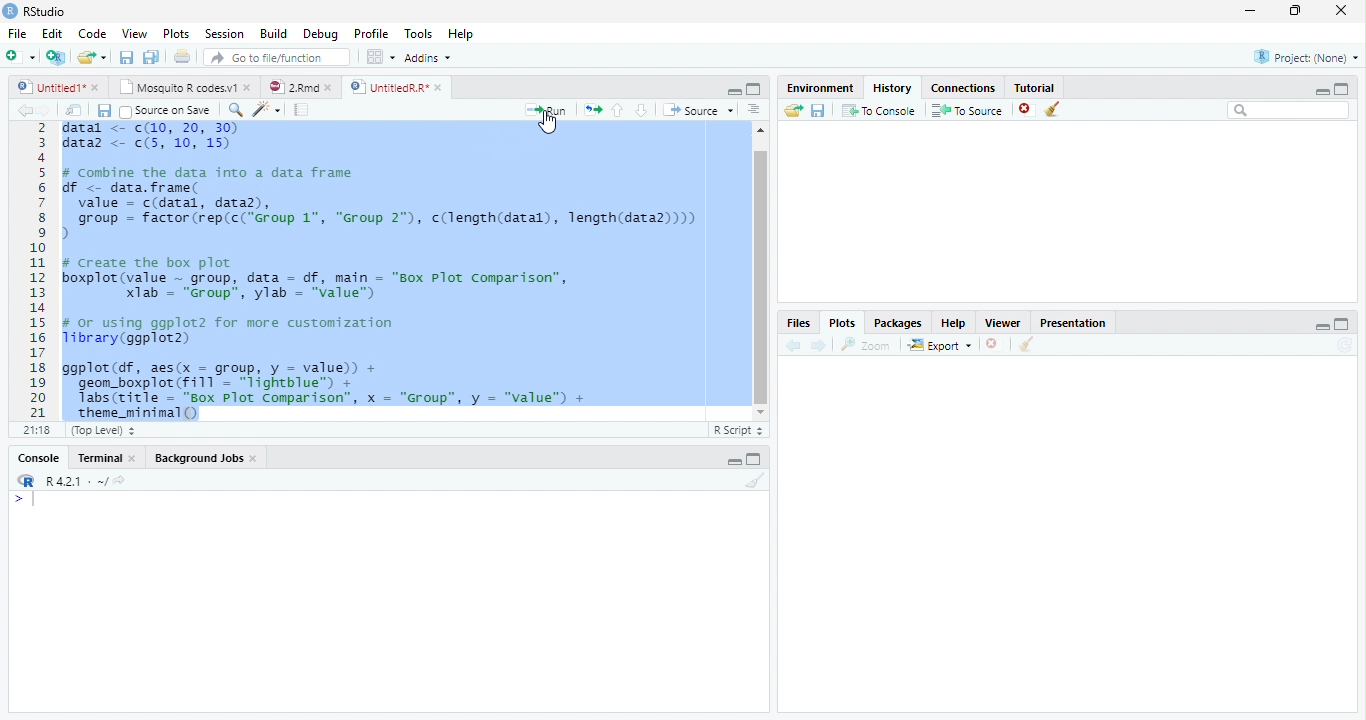 The width and height of the screenshot is (1366, 720). I want to click on New line, so click(24, 500).